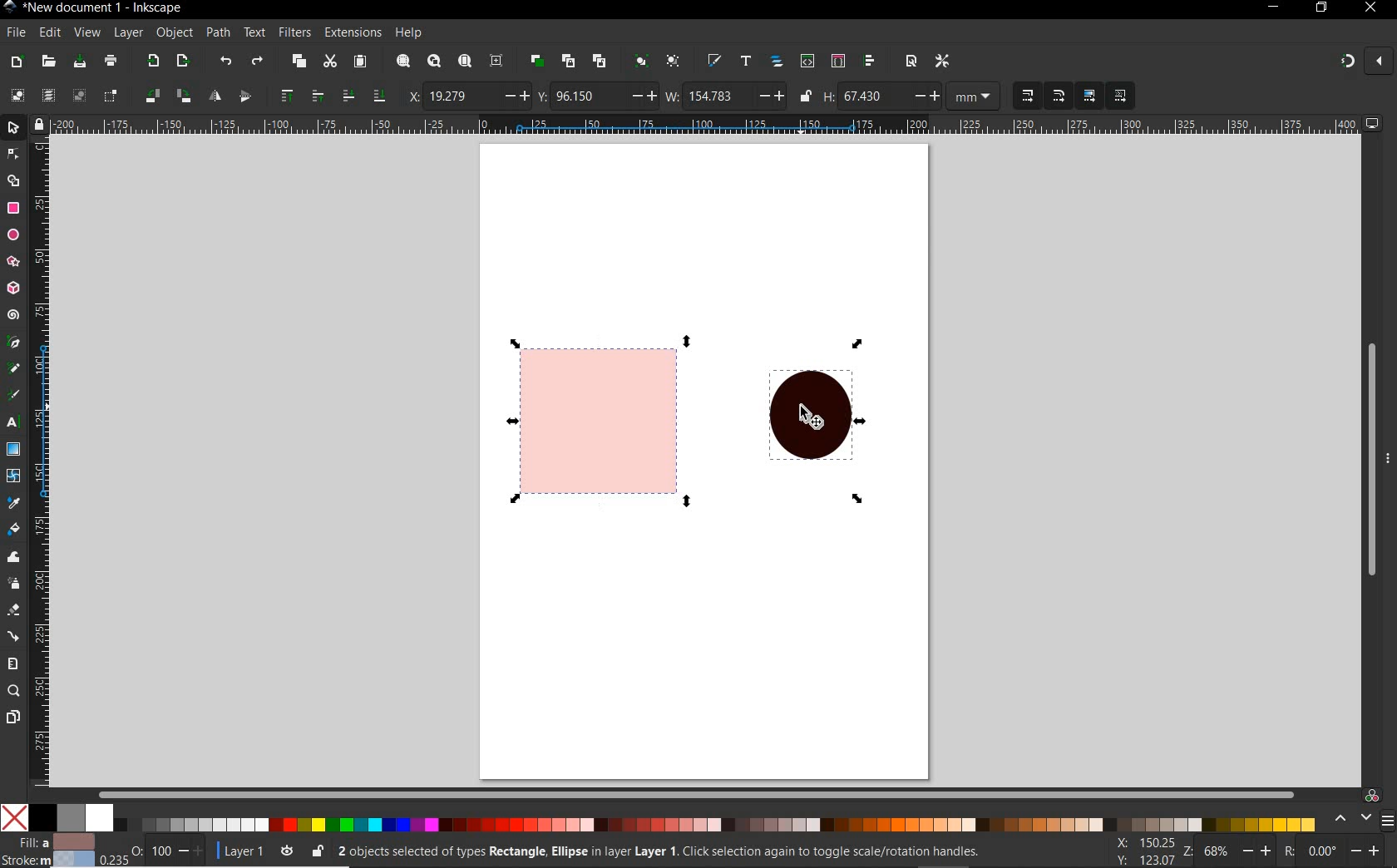 The height and width of the screenshot is (868, 1397). I want to click on path, so click(218, 33).